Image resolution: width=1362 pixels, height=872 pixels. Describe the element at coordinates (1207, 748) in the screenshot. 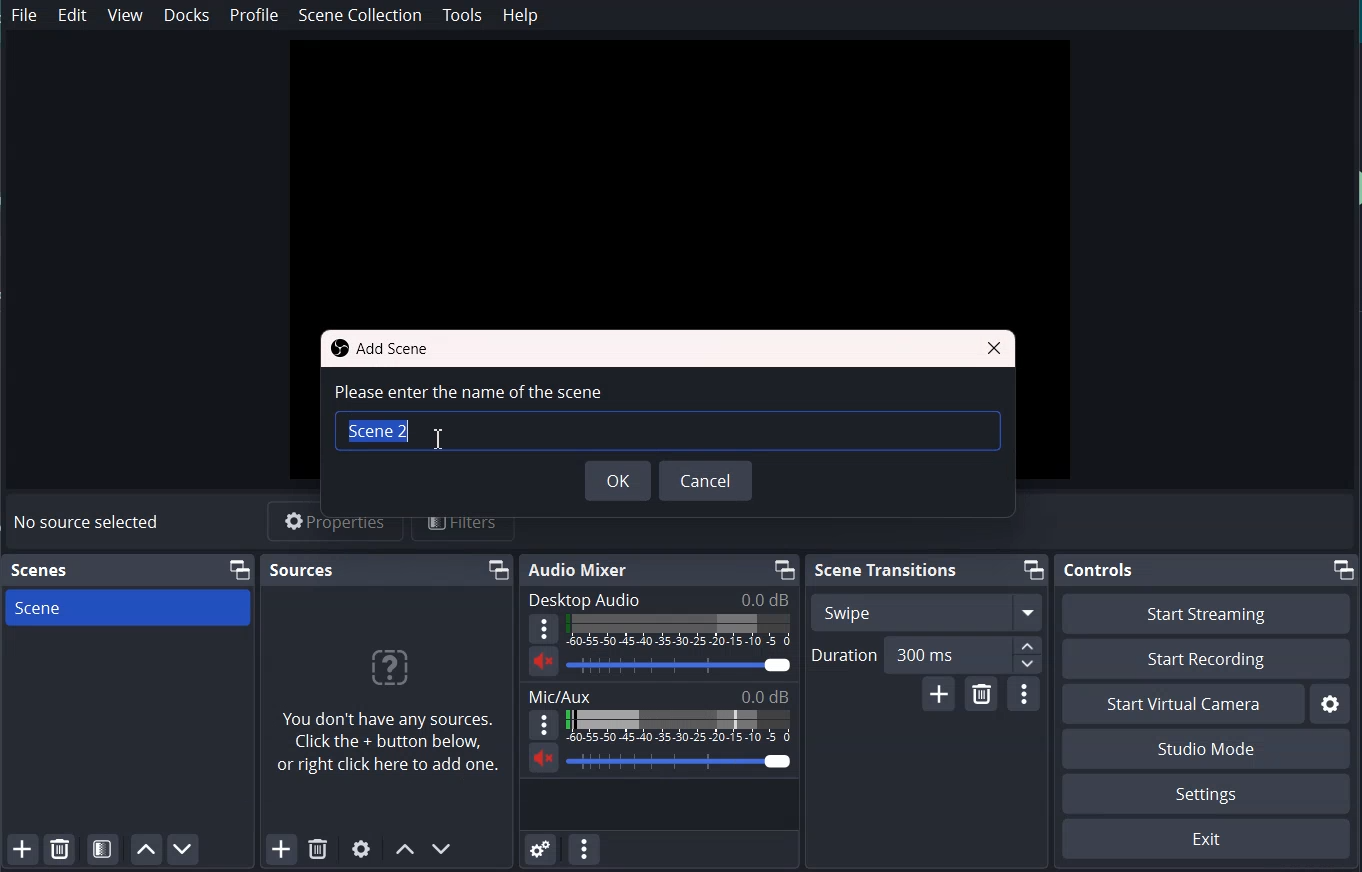

I see `Studio Mode` at that location.